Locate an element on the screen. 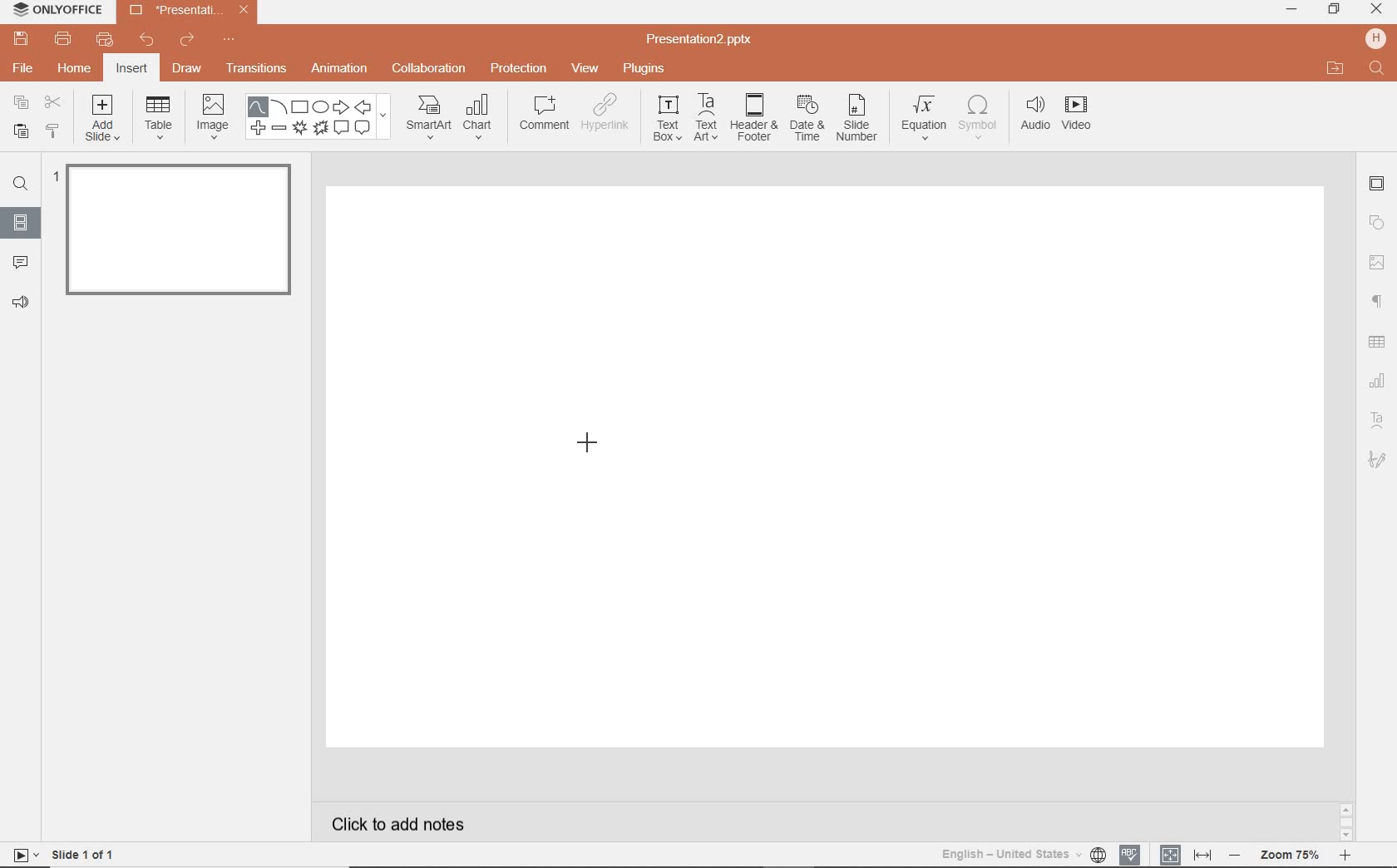  FEEDBACK & SUPPORT is located at coordinates (20, 303).